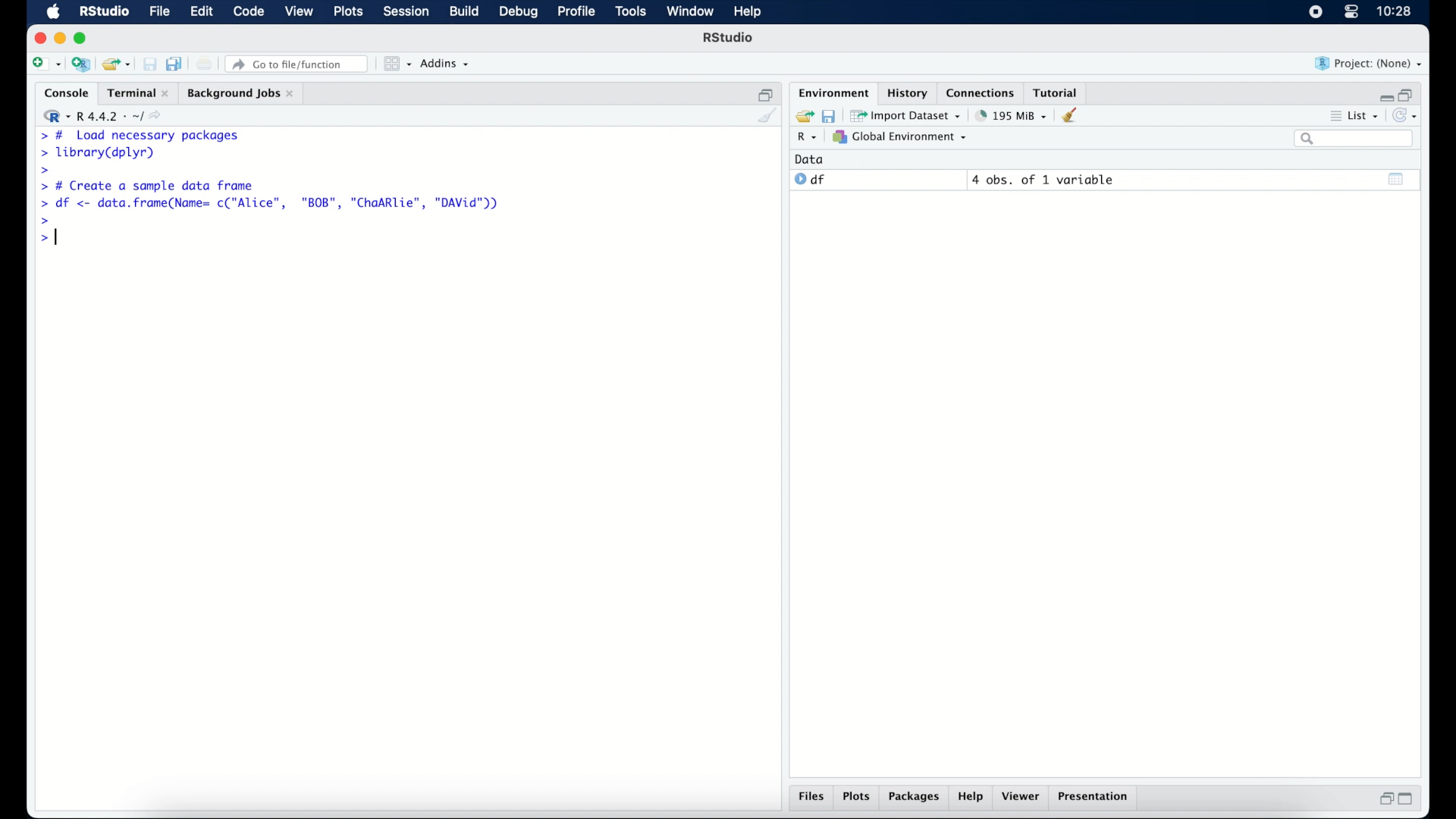 The image size is (1456, 819). What do you see at coordinates (81, 65) in the screenshot?
I see `create new project` at bounding box center [81, 65].